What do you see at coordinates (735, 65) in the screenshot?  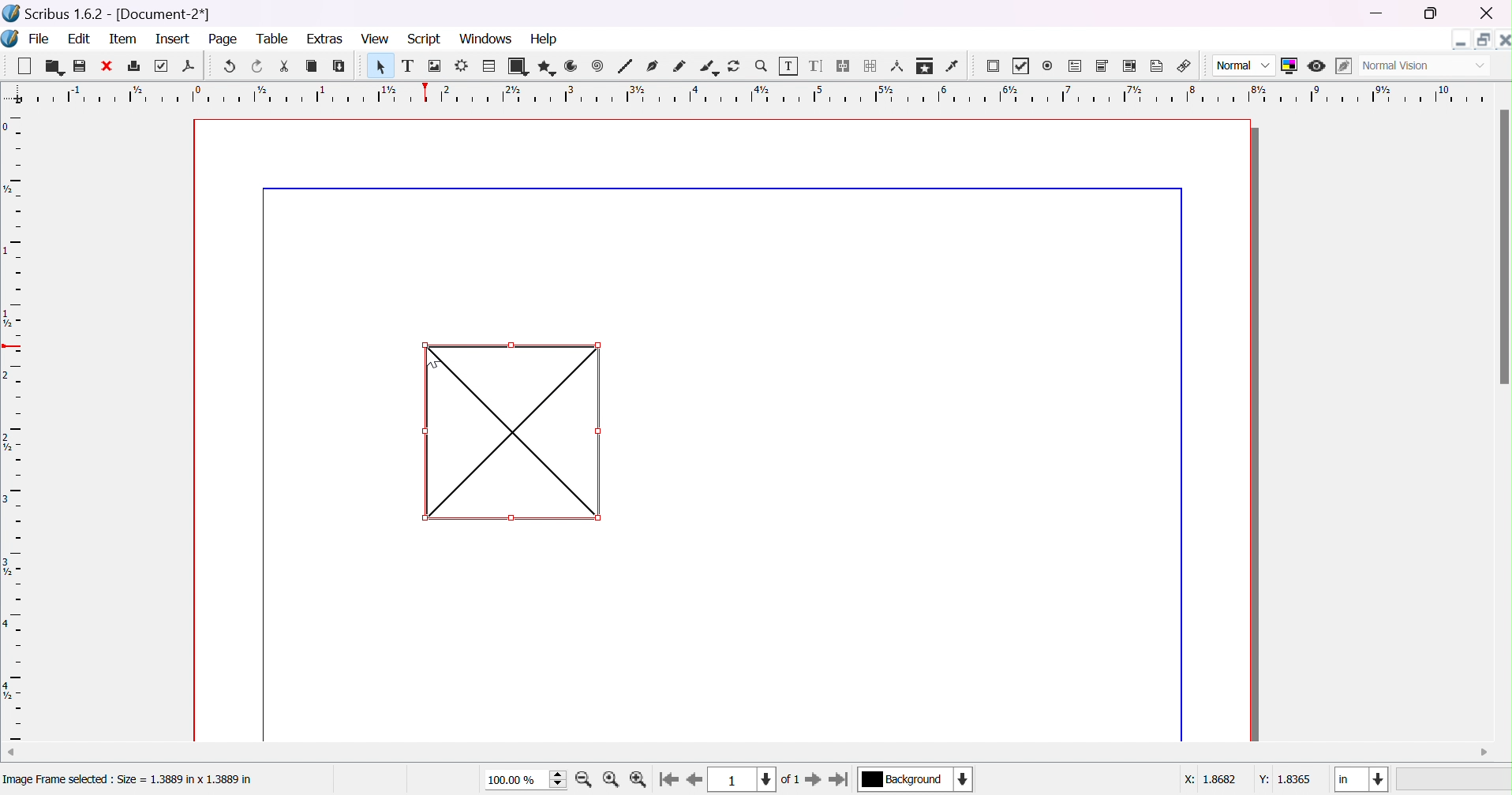 I see `rotate item` at bounding box center [735, 65].